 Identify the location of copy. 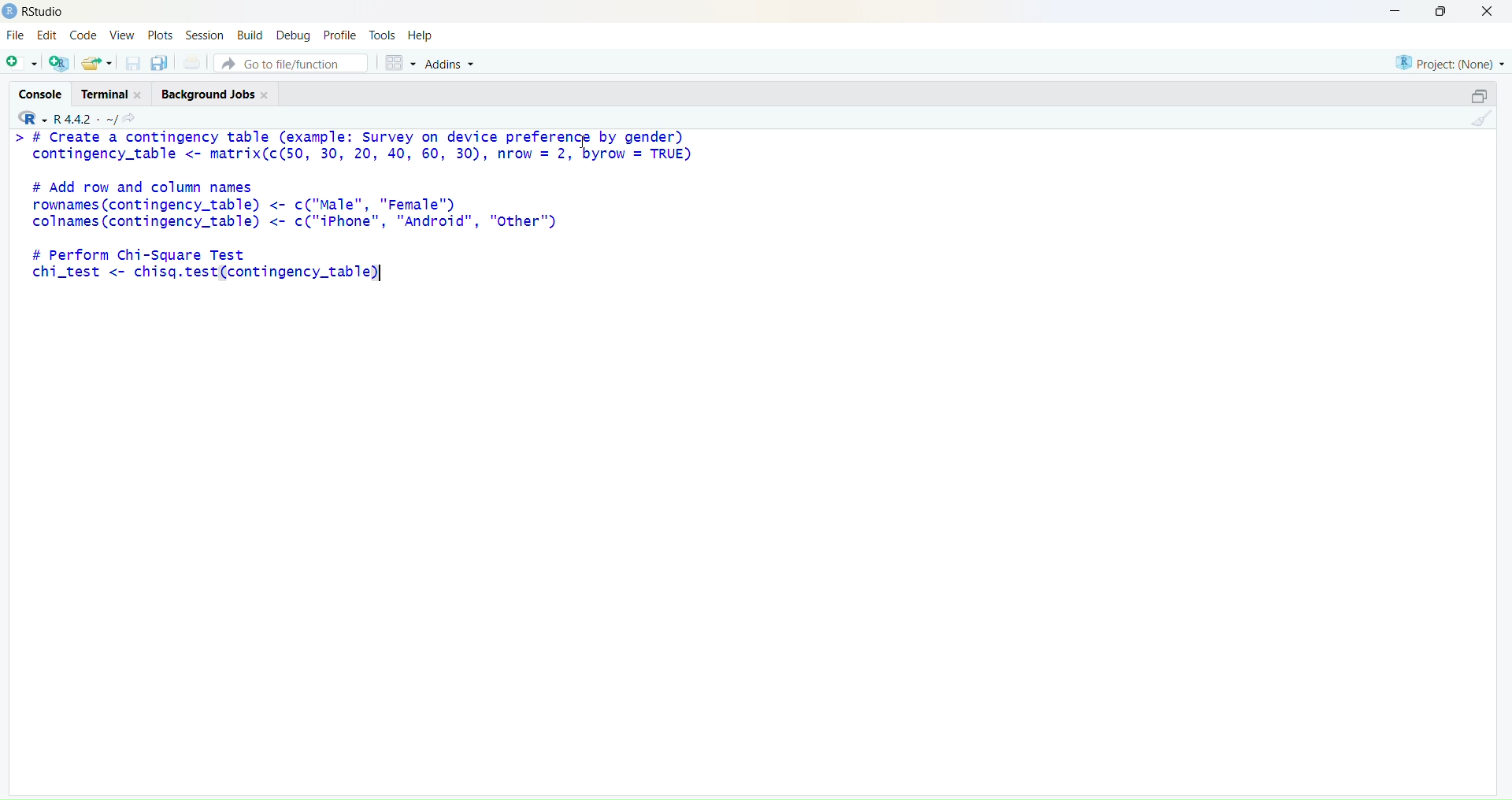
(159, 62).